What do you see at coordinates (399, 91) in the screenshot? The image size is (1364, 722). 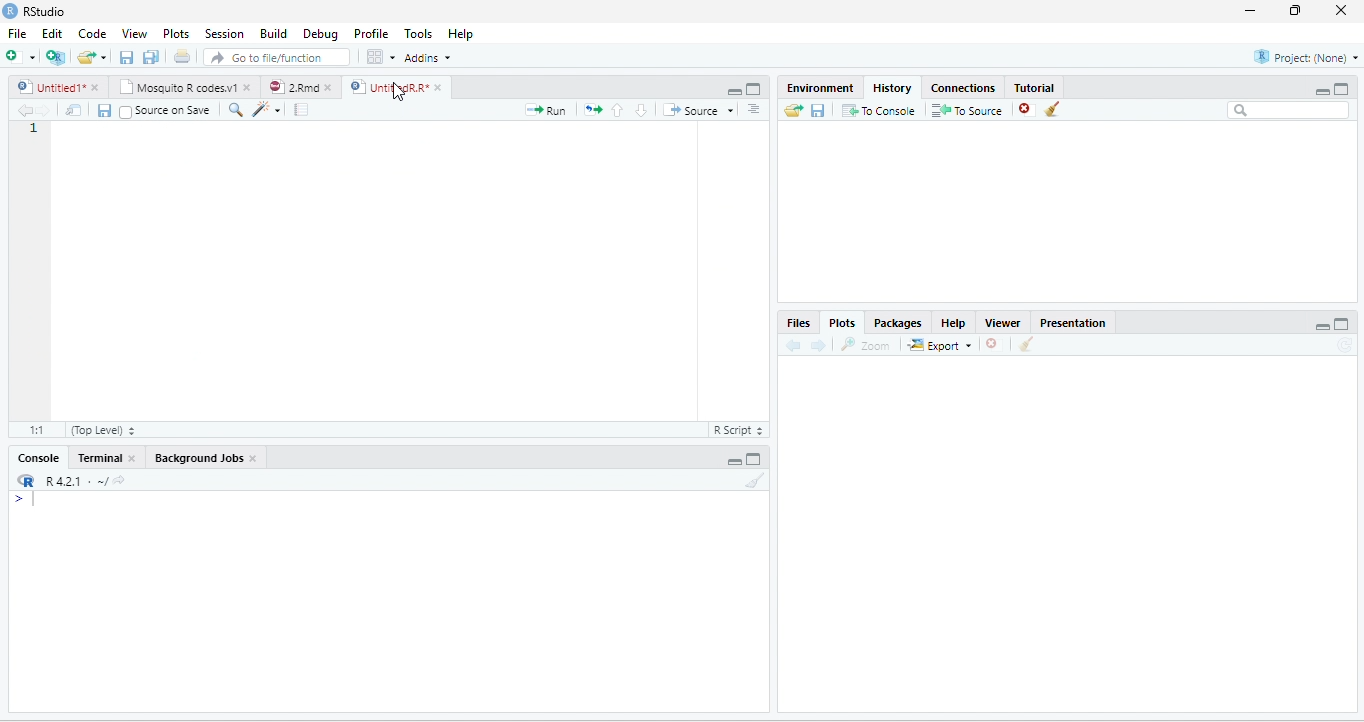 I see `cursor` at bounding box center [399, 91].